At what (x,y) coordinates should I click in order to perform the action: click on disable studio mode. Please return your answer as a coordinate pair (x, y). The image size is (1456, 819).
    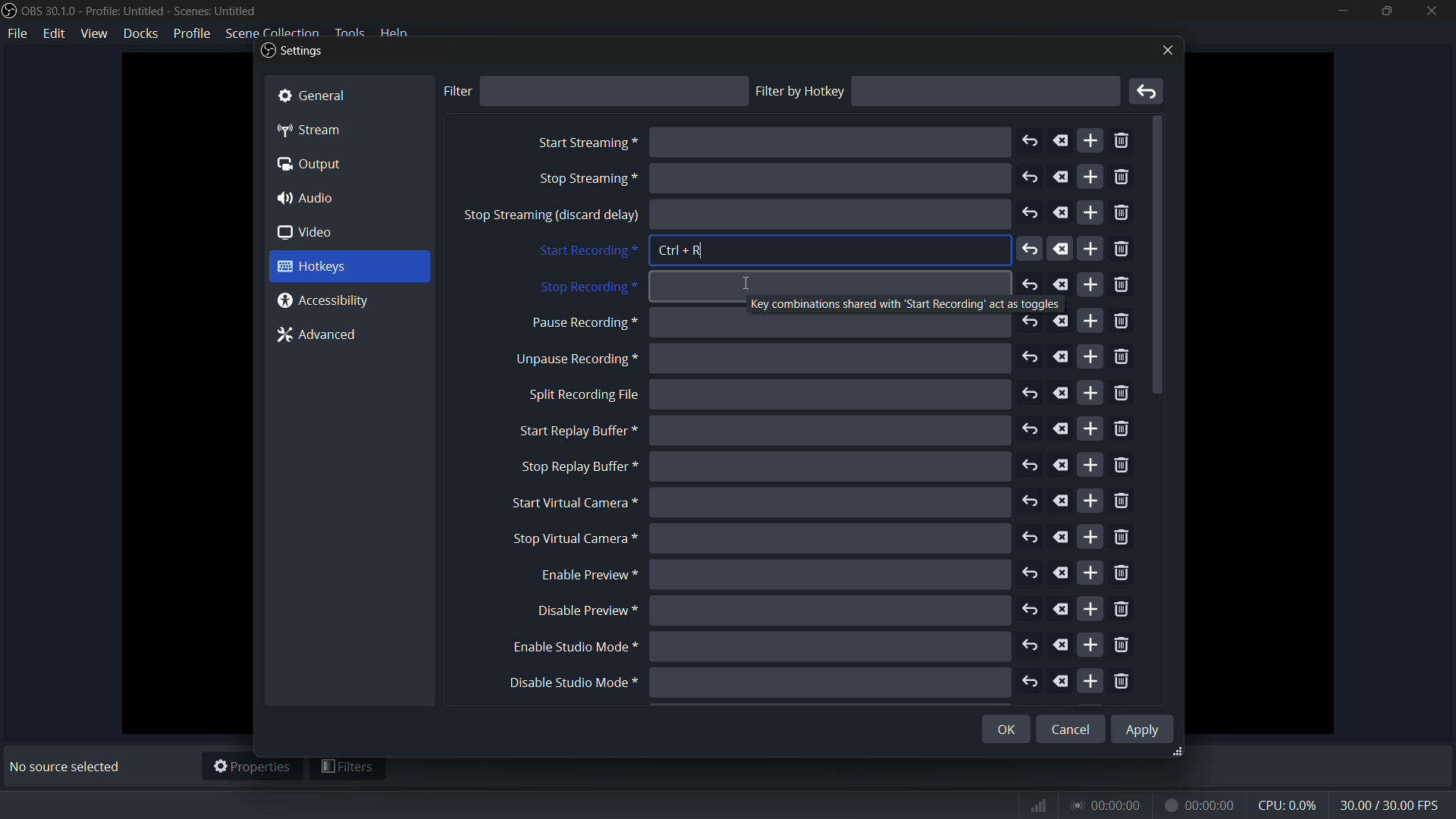
    Looking at the image, I should click on (571, 683).